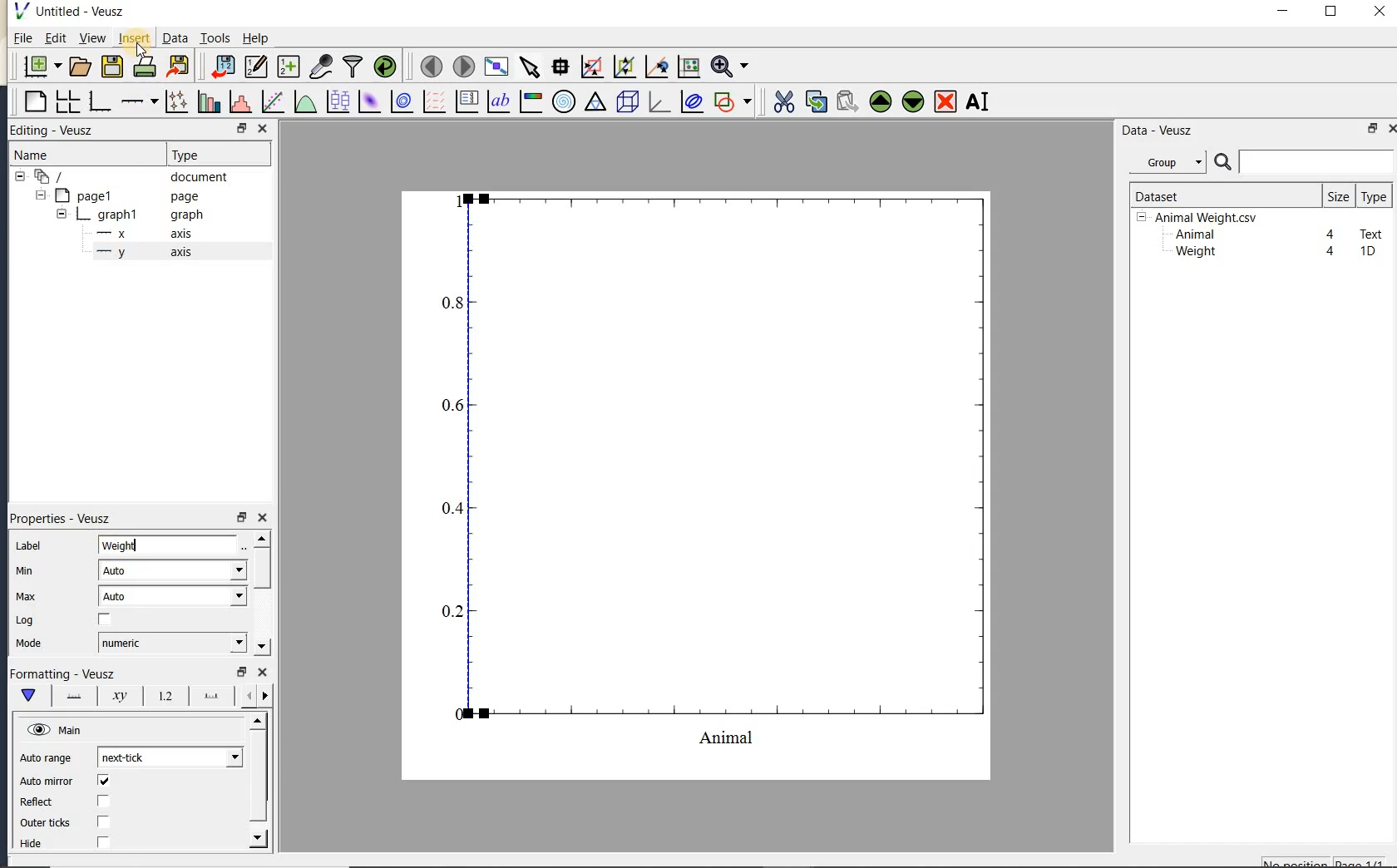  Describe the element at coordinates (657, 67) in the screenshot. I see `click to recenter graph axes` at that location.